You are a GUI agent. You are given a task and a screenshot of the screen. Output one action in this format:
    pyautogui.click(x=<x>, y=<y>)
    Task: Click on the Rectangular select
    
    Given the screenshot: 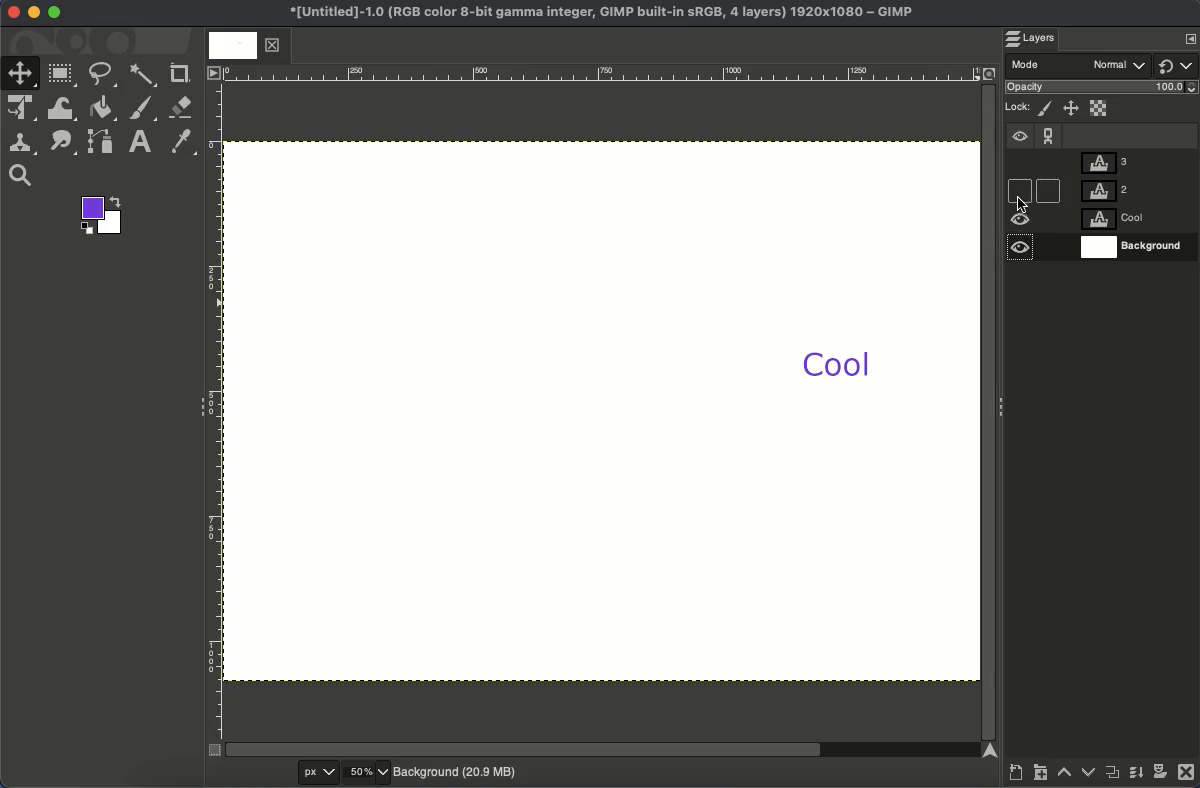 What is the action you would take?
    pyautogui.click(x=63, y=74)
    